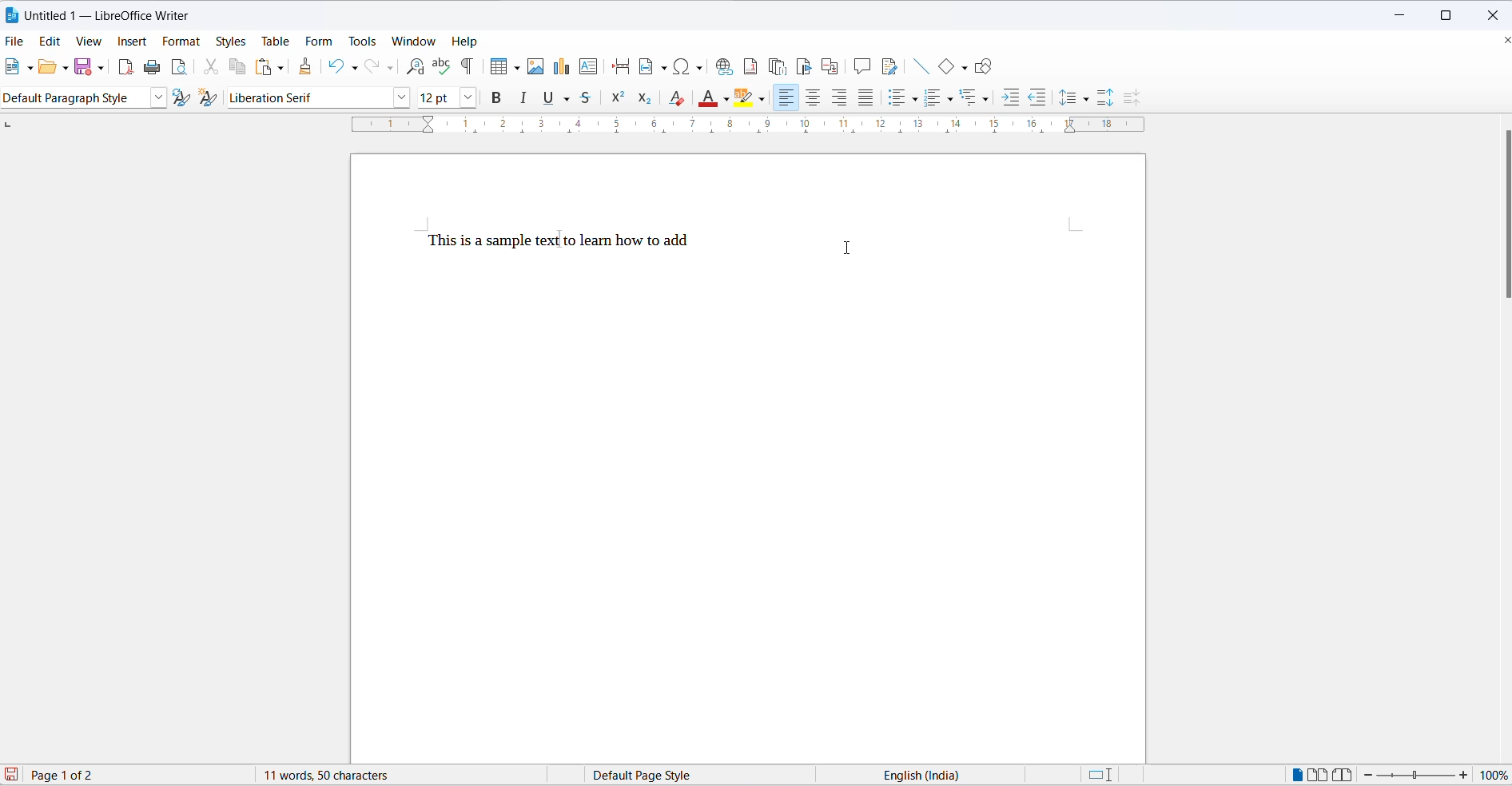 The image size is (1512, 786). Describe the element at coordinates (763, 97) in the screenshot. I see `character highlight color` at that location.